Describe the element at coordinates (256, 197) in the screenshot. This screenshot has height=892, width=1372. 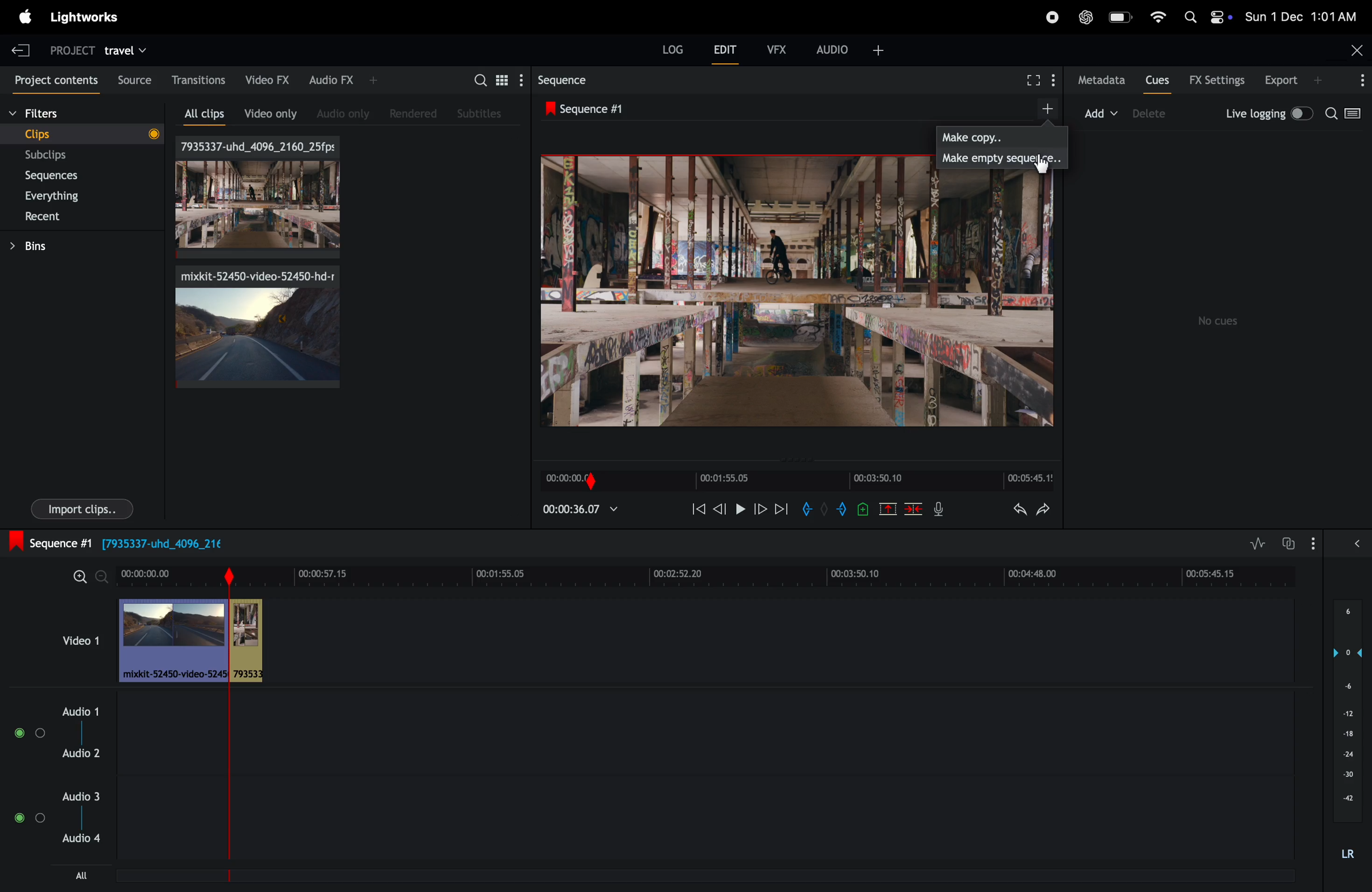
I see `clips` at that location.